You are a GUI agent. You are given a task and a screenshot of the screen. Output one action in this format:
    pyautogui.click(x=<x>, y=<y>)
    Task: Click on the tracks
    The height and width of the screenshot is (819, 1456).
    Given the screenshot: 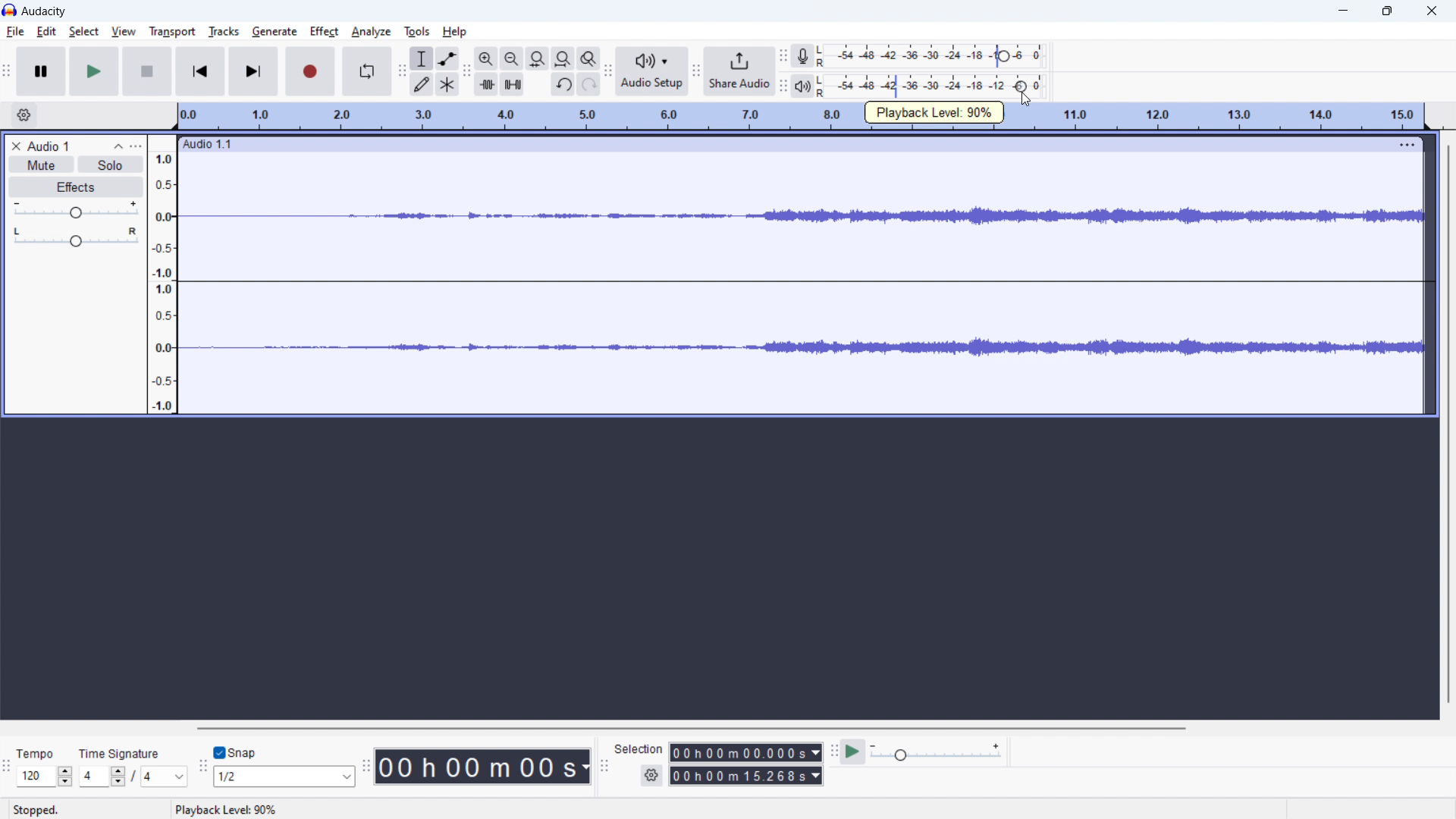 What is the action you would take?
    pyautogui.click(x=224, y=32)
    